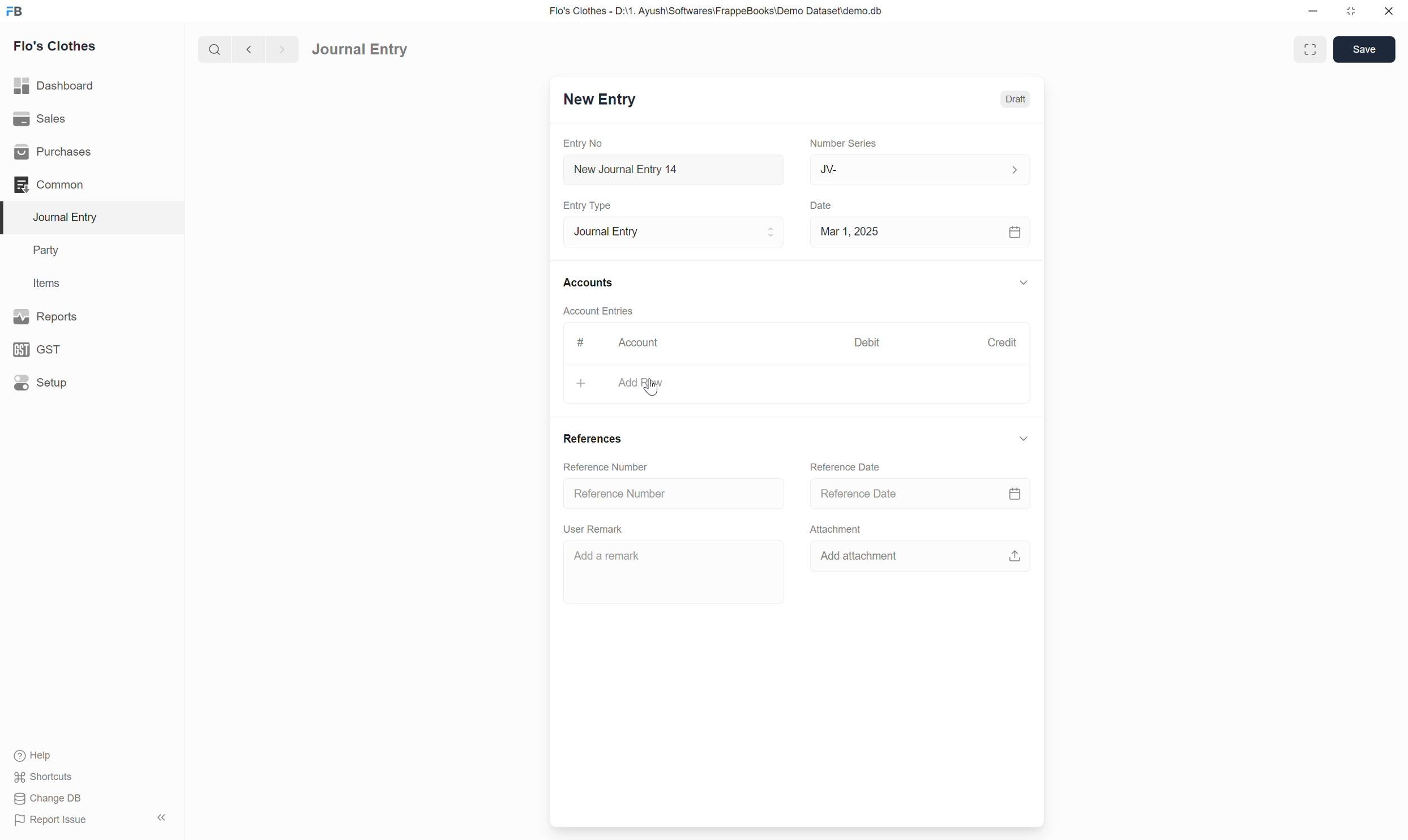  I want to click on Journal Entry, so click(360, 50).